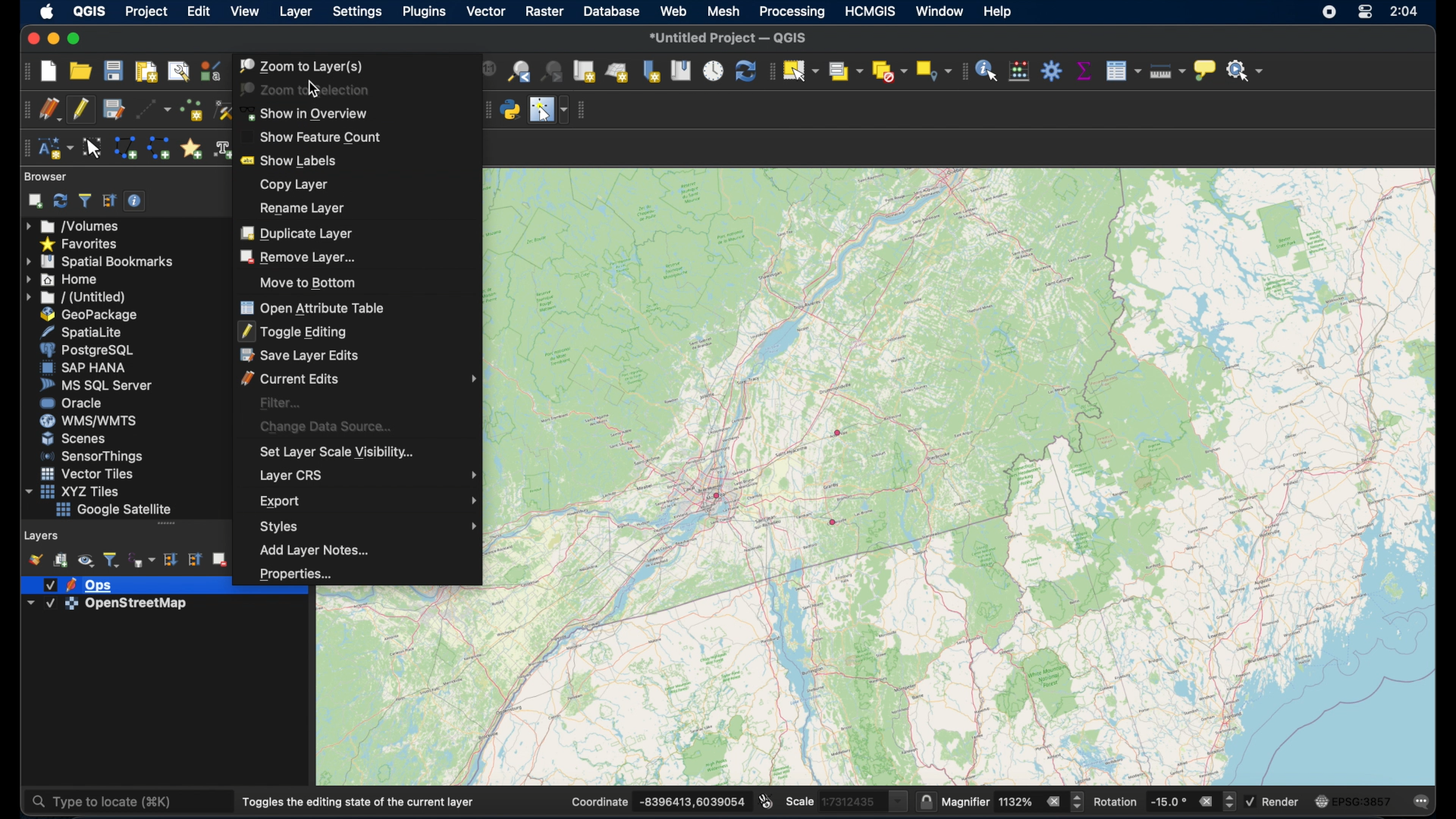 The height and width of the screenshot is (819, 1456). Describe the element at coordinates (83, 349) in the screenshot. I see `postgresql` at that location.